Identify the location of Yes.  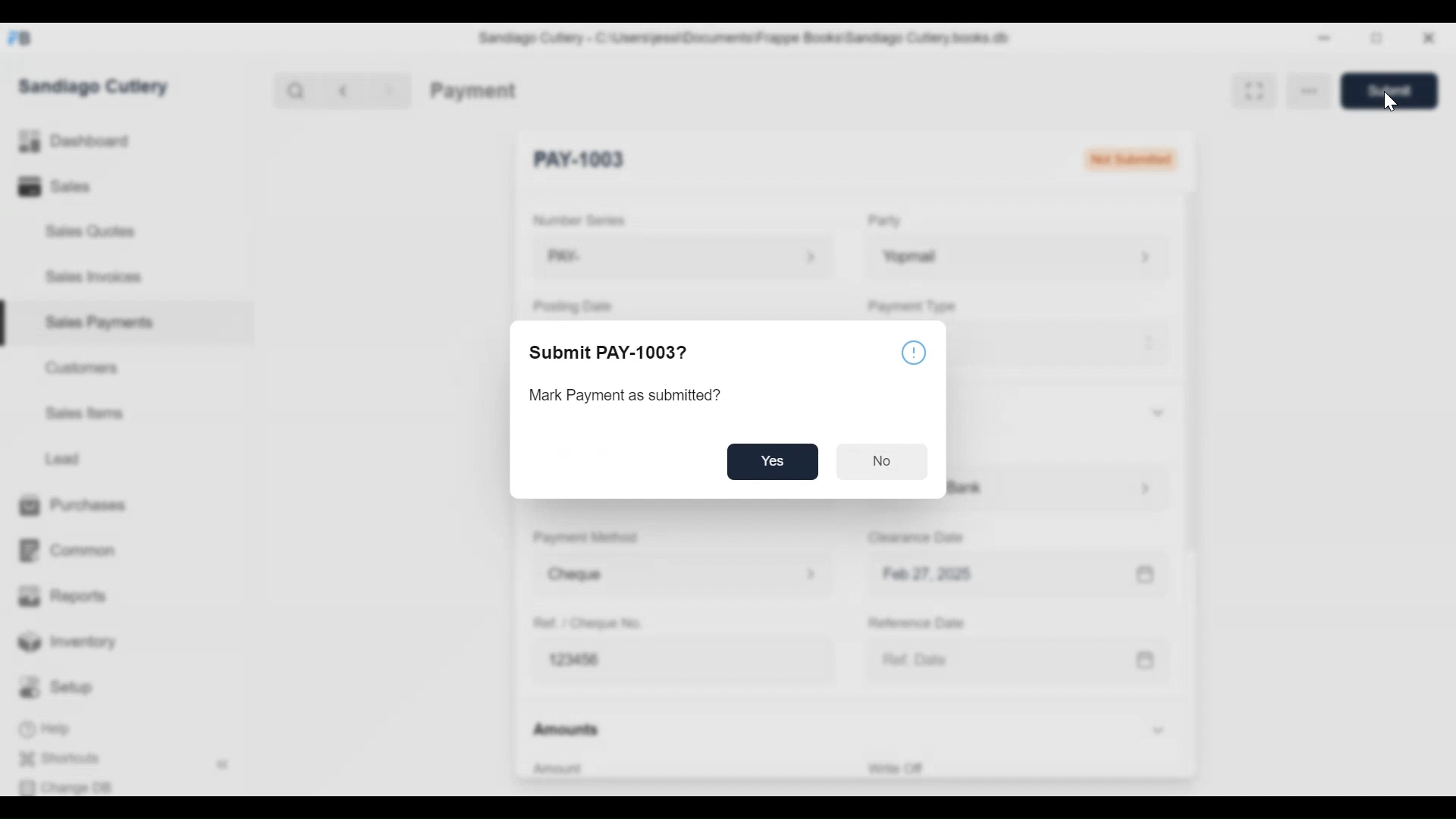
(773, 461).